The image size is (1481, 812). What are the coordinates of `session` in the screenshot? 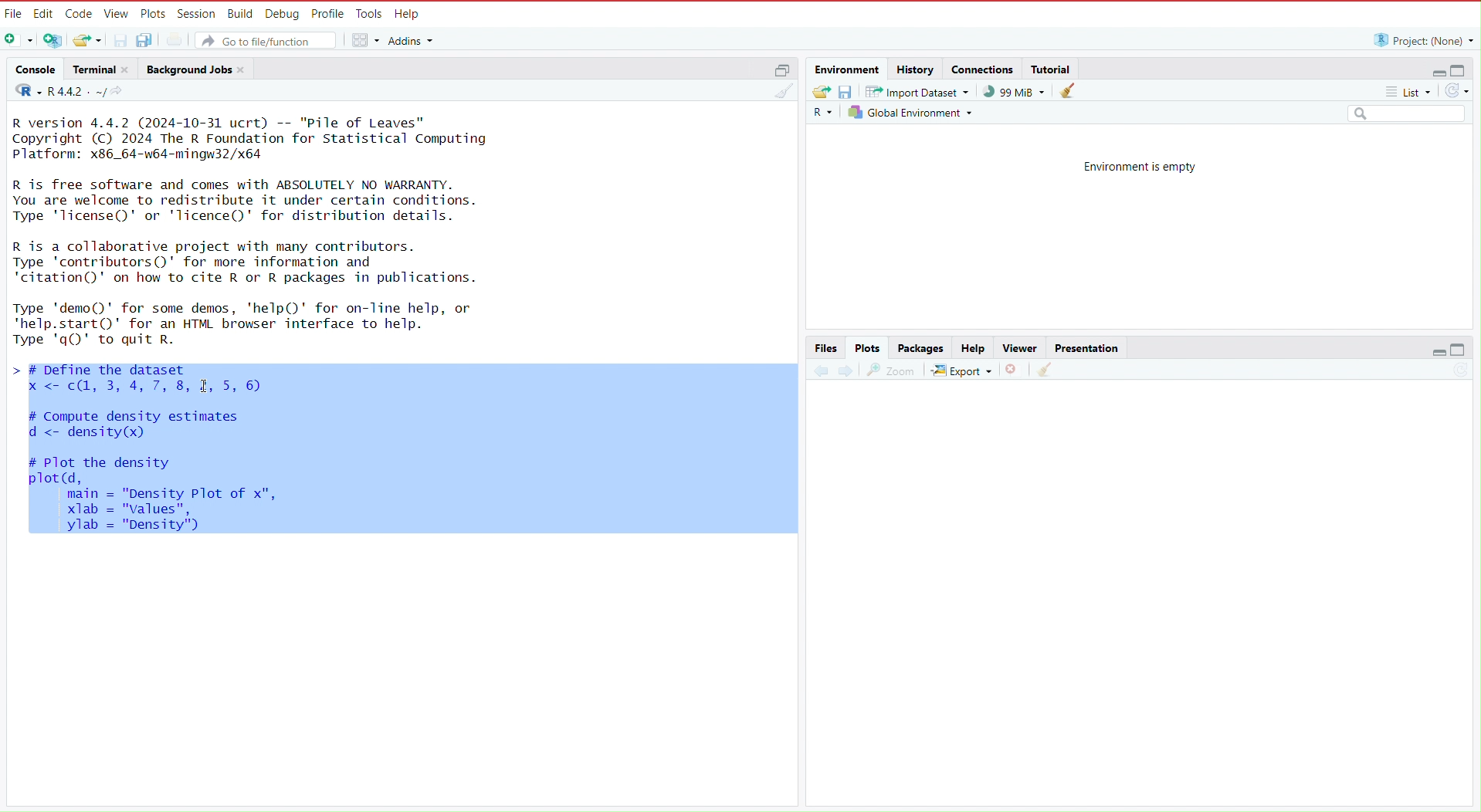 It's located at (198, 11).